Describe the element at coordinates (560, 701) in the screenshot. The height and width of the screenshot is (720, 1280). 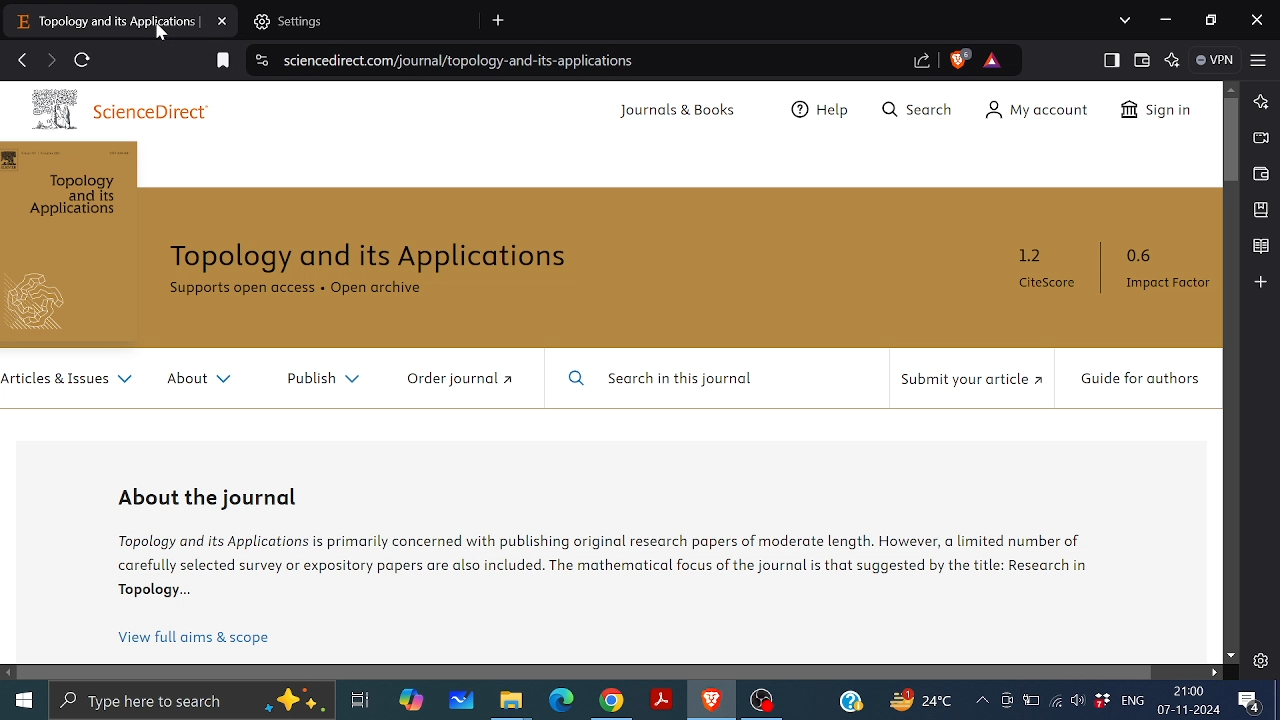
I see `Windows edge` at that location.